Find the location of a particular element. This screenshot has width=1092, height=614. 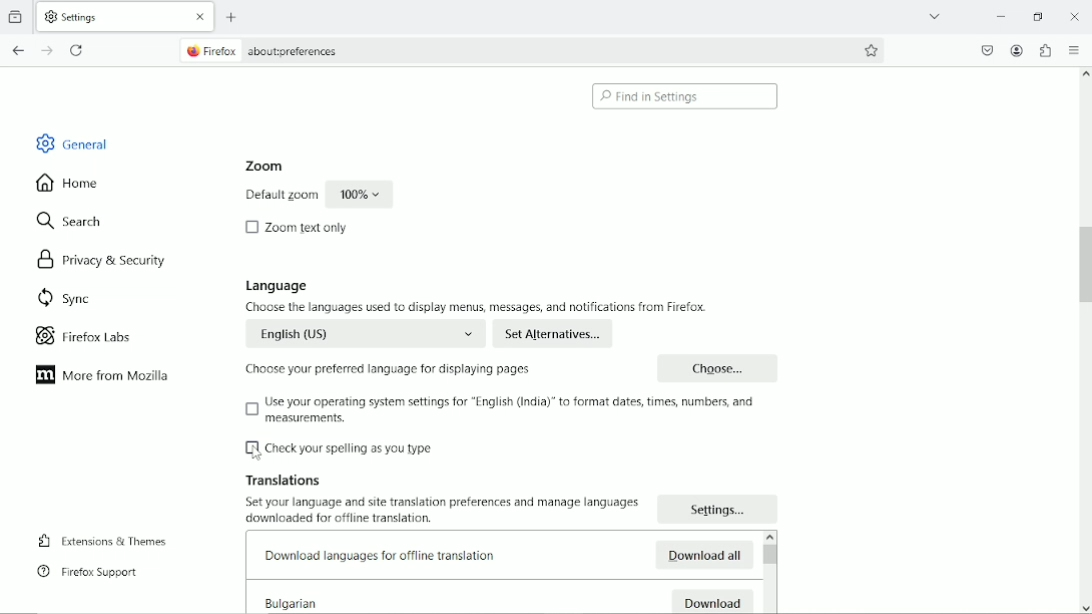

Translations is located at coordinates (283, 479).